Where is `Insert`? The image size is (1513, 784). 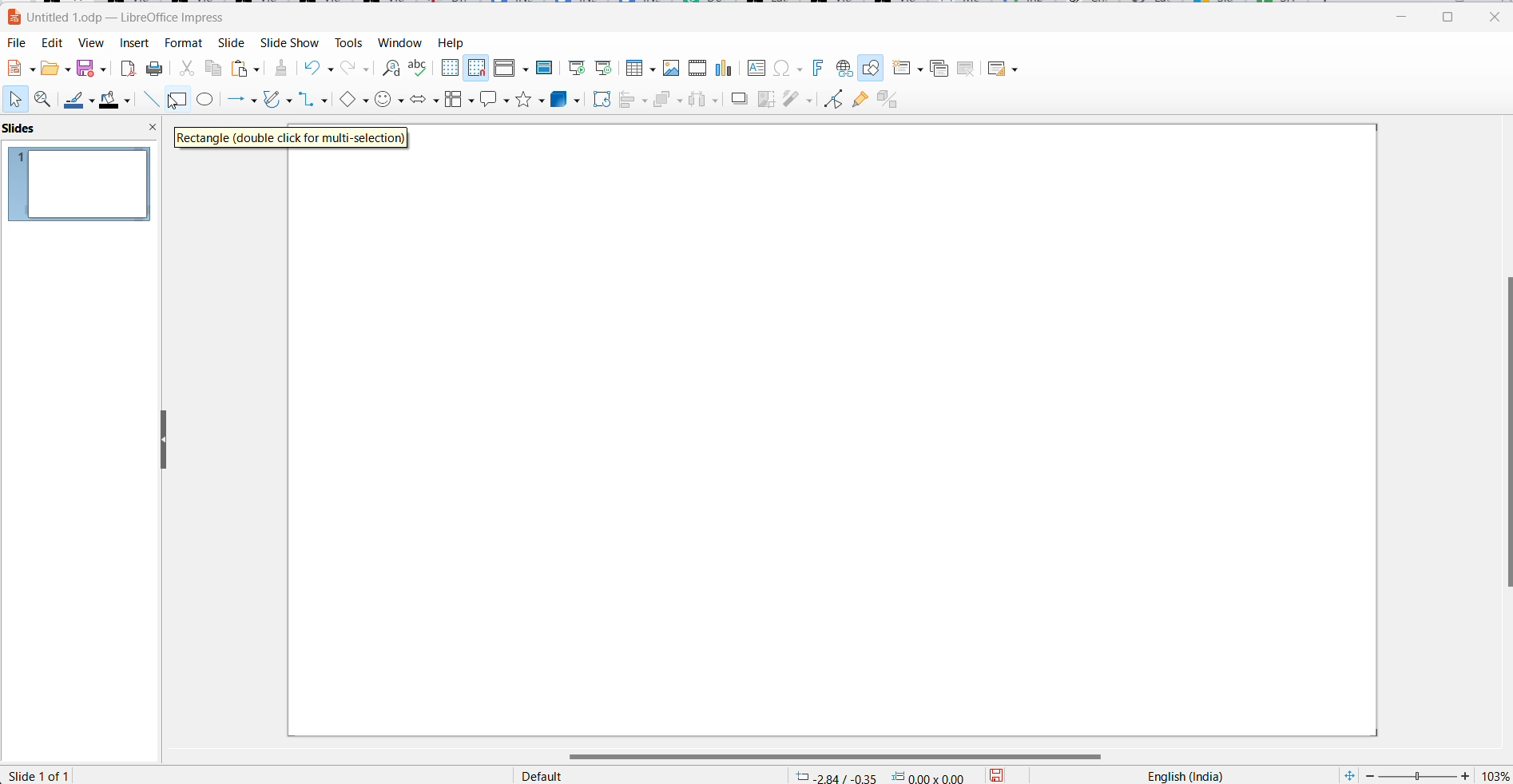
Insert is located at coordinates (134, 44).